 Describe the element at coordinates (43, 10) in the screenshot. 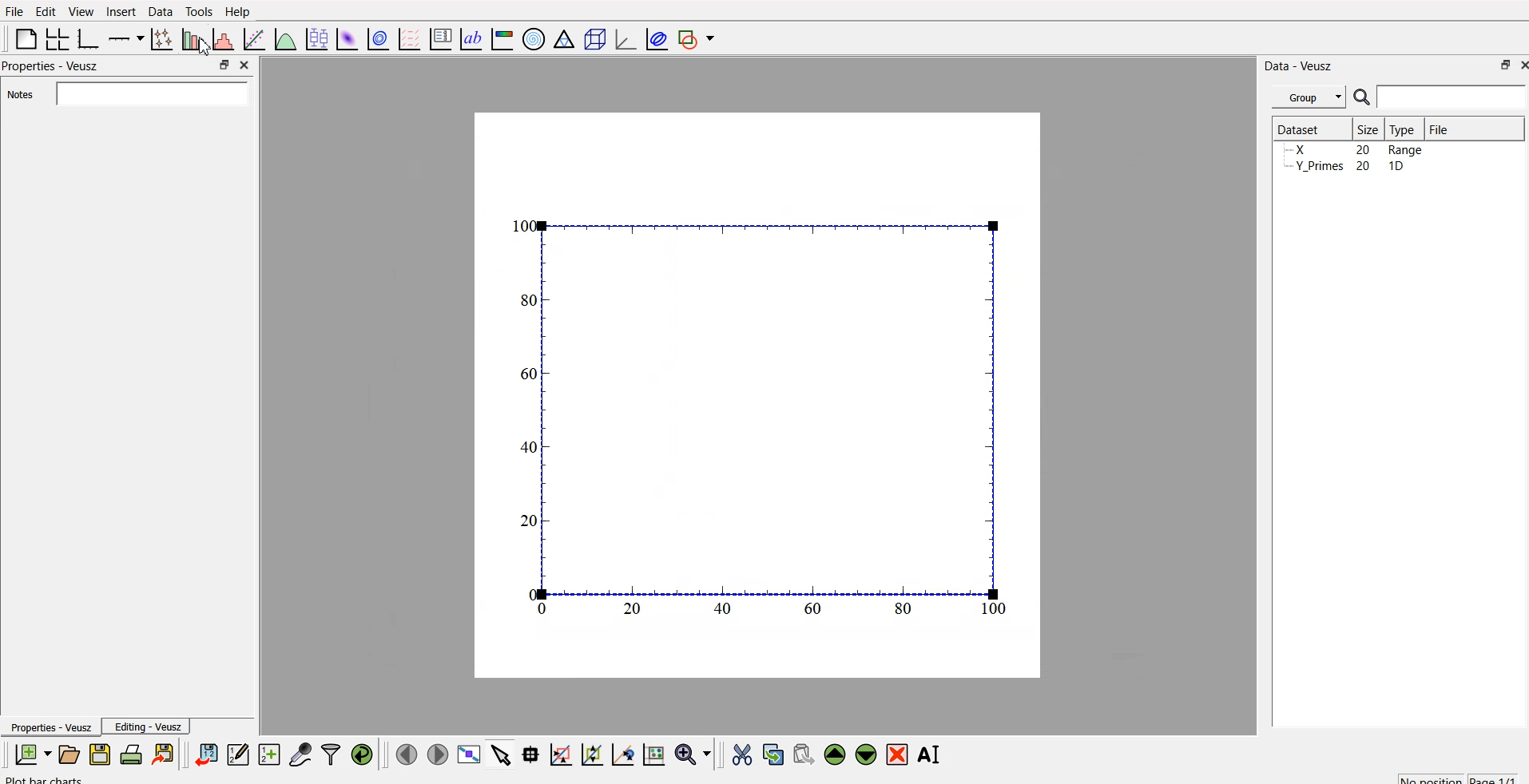

I see `Edit` at that location.